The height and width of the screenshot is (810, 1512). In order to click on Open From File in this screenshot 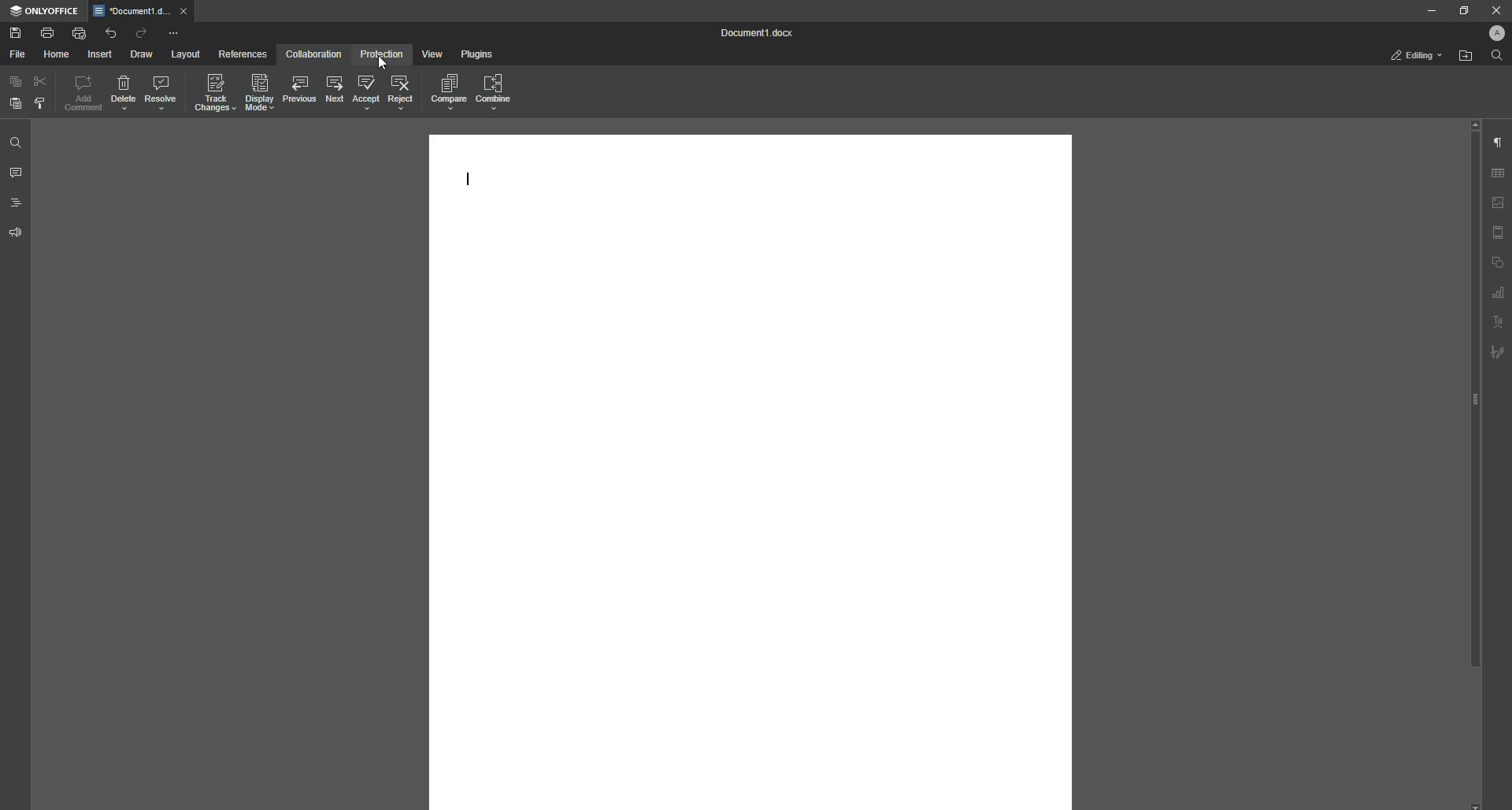, I will do `click(1464, 56)`.